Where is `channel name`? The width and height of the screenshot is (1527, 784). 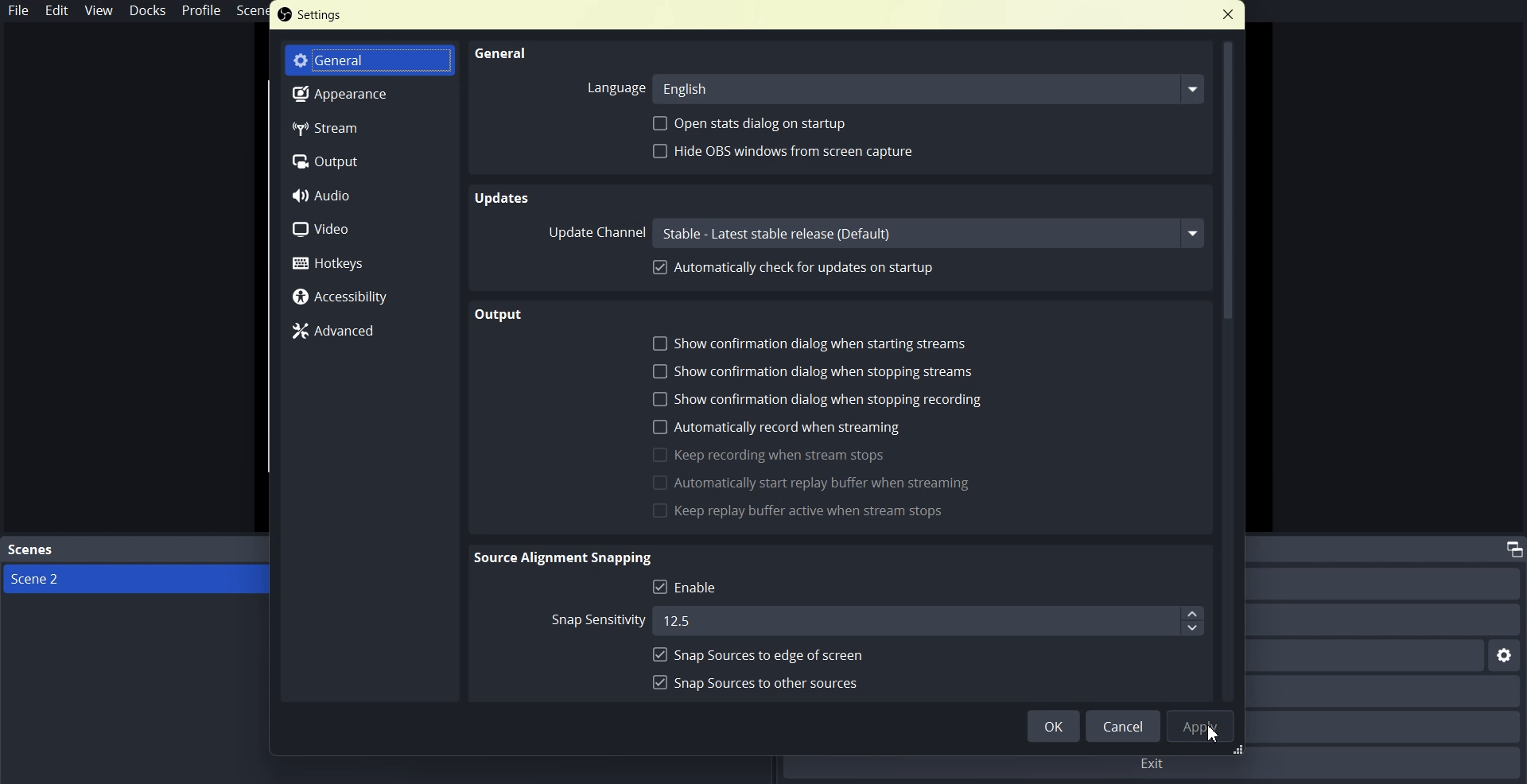
channel name is located at coordinates (931, 233).